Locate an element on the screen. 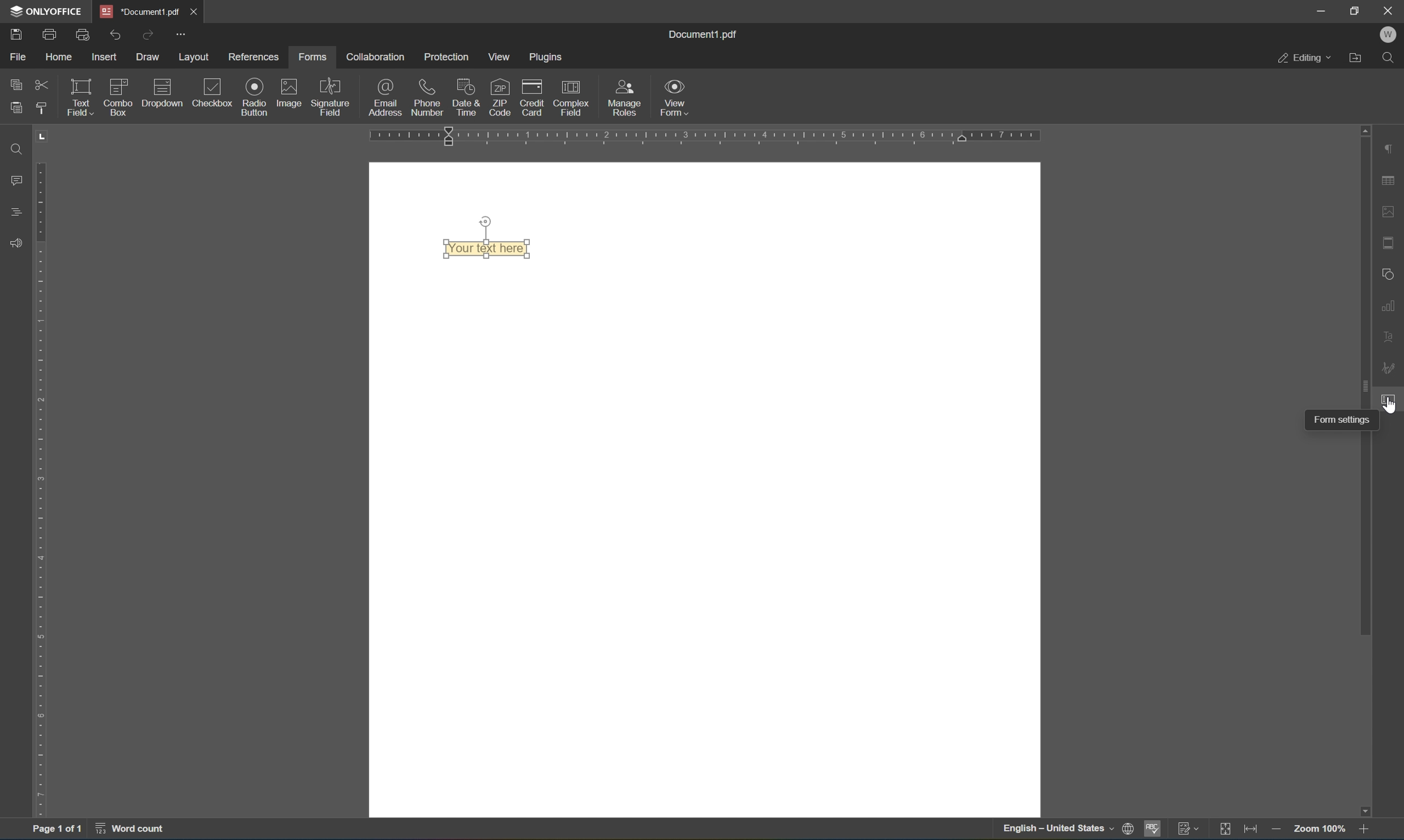 Image resolution: width=1404 pixels, height=840 pixels. insert is located at coordinates (106, 57).